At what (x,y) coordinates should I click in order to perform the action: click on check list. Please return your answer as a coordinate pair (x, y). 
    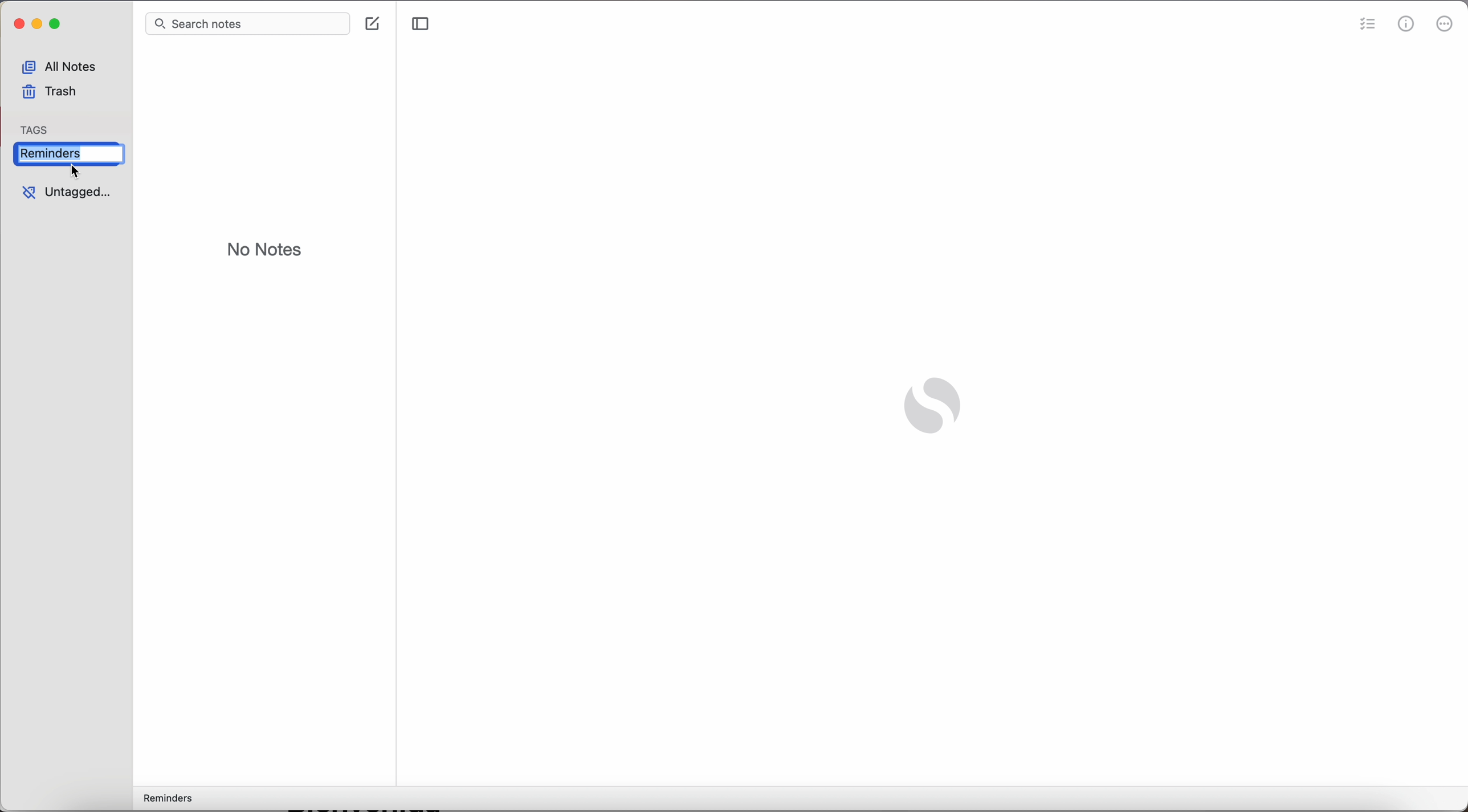
    Looking at the image, I should click on (1368, 24).